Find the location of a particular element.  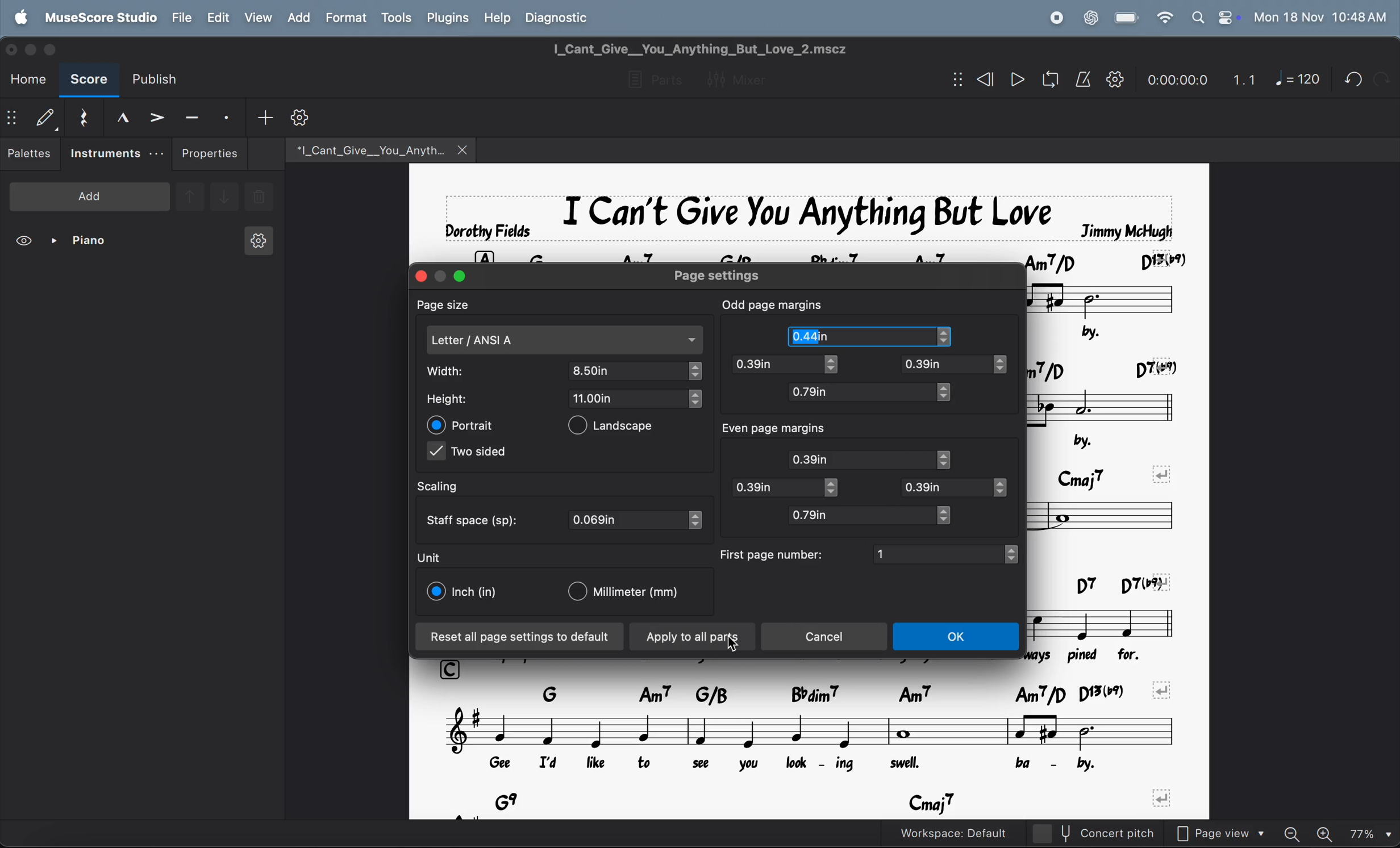

file is located at coordinates (182, 17).